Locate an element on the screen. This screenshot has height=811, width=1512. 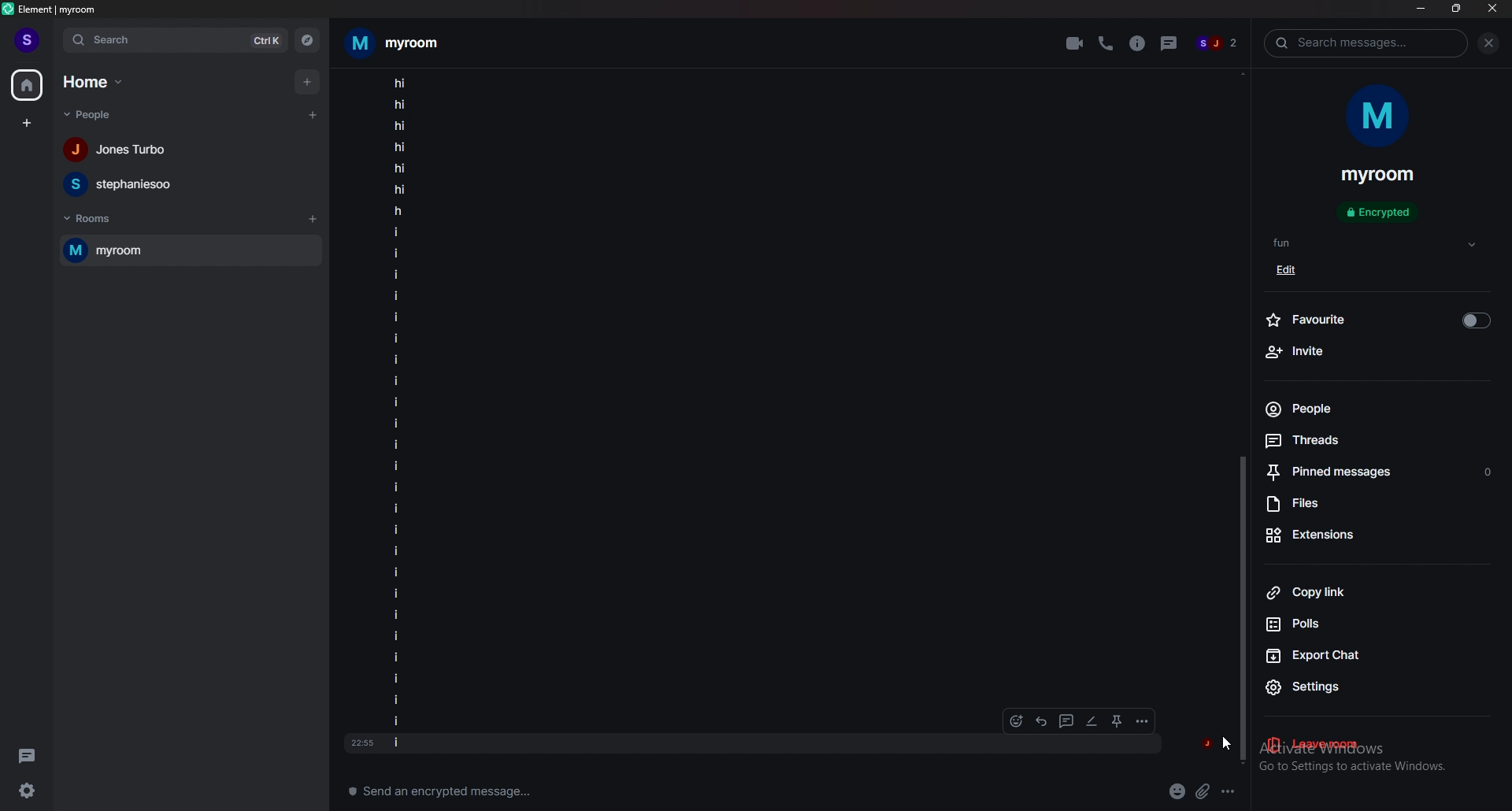
voice call is located at coordinates (1106, 43).